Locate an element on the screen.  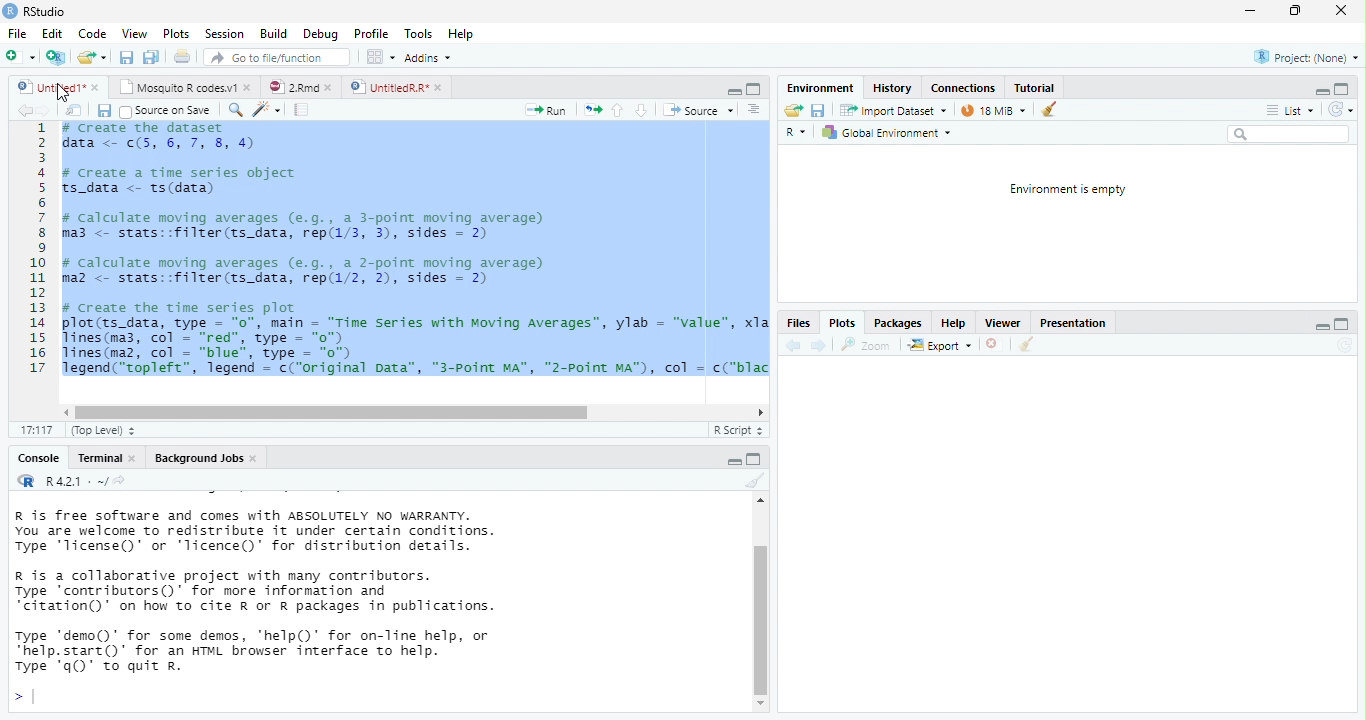
Tutorial is located at coordinates (1035, 87).